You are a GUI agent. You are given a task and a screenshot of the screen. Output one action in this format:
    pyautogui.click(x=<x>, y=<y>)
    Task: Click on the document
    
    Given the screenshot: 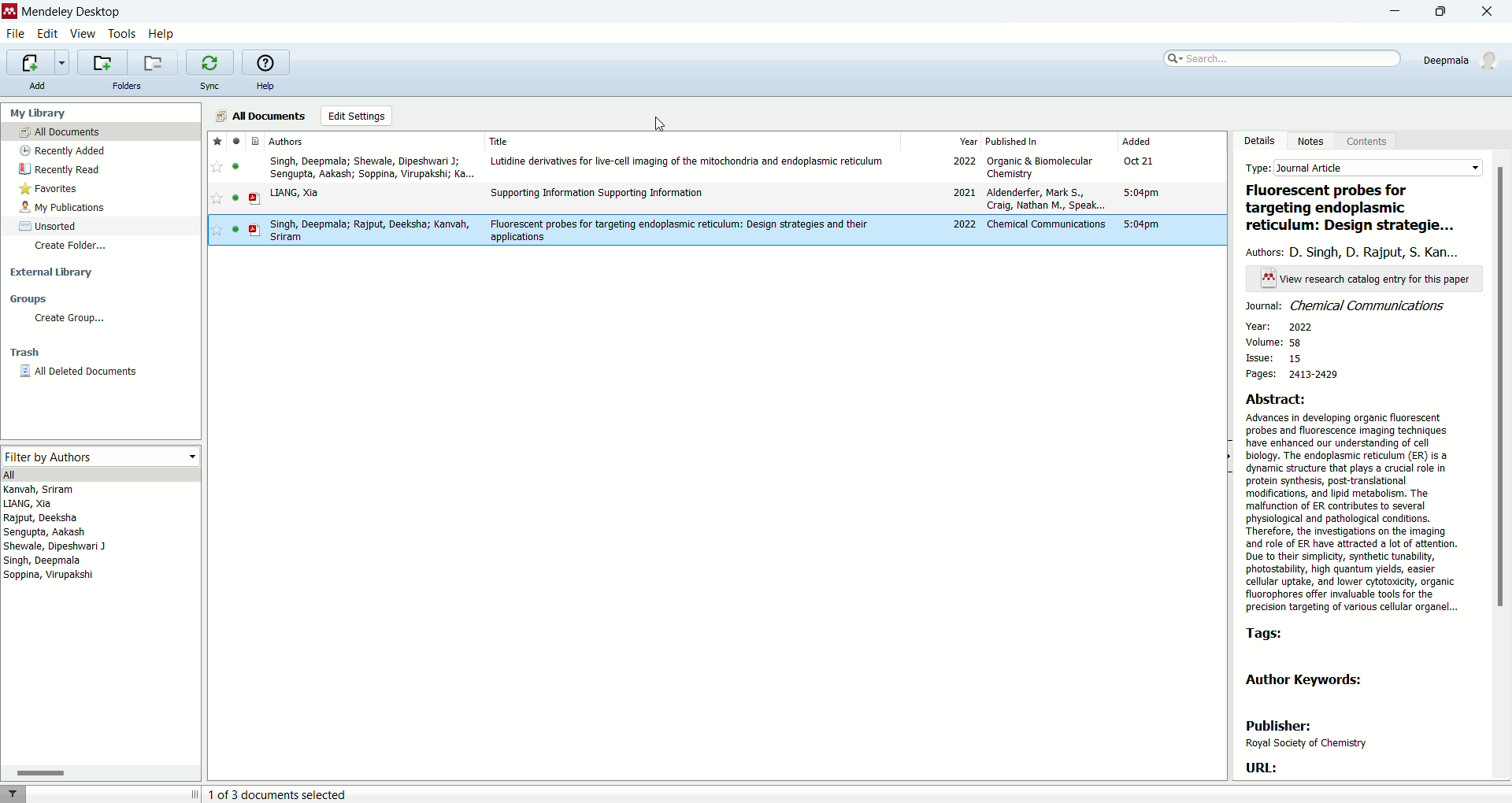 What is the action you would take?
    pyautogui.click(x=257, y=229)
    